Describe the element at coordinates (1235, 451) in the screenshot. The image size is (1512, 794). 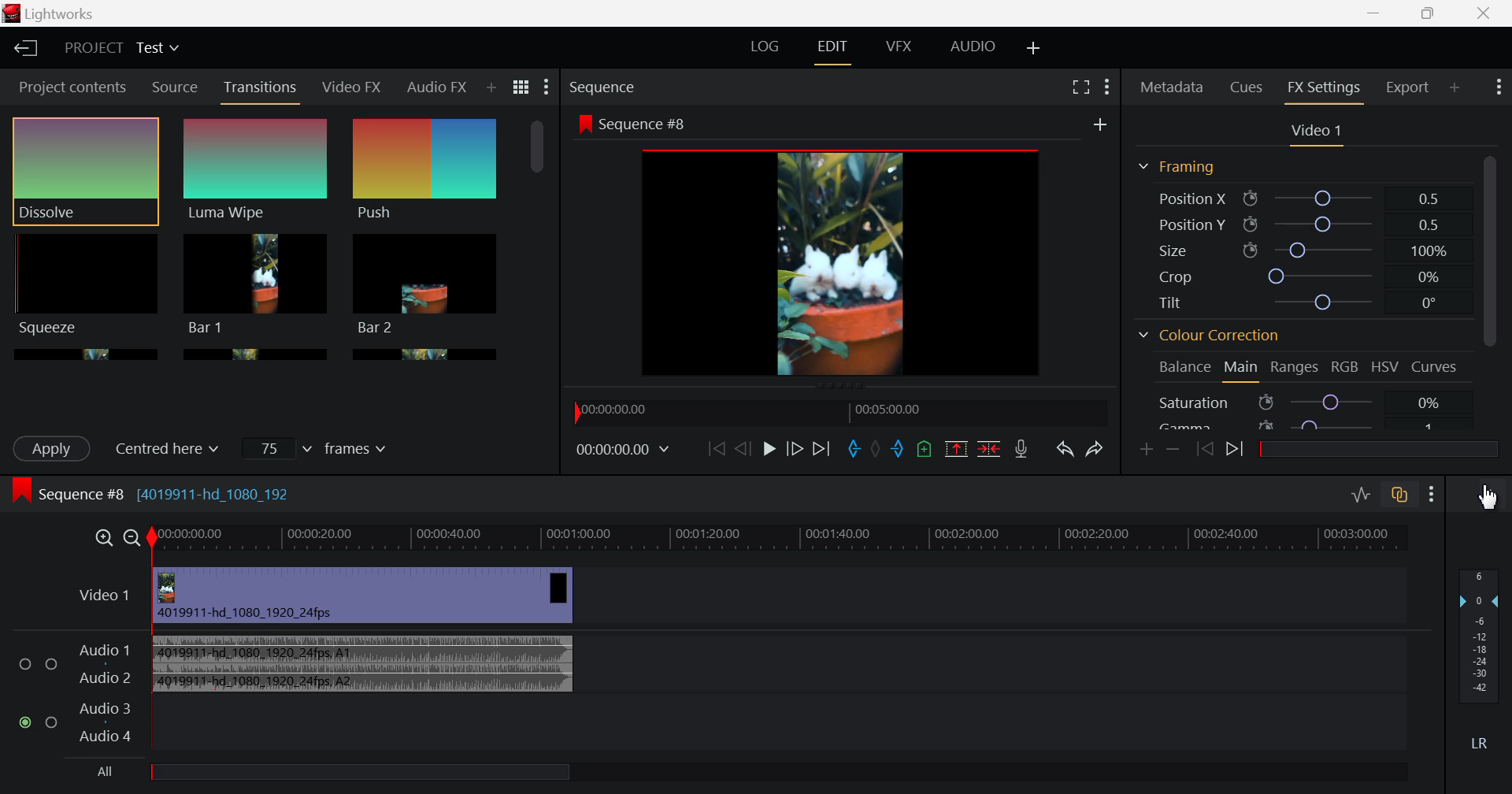
I see `Next keyframe` at that location.